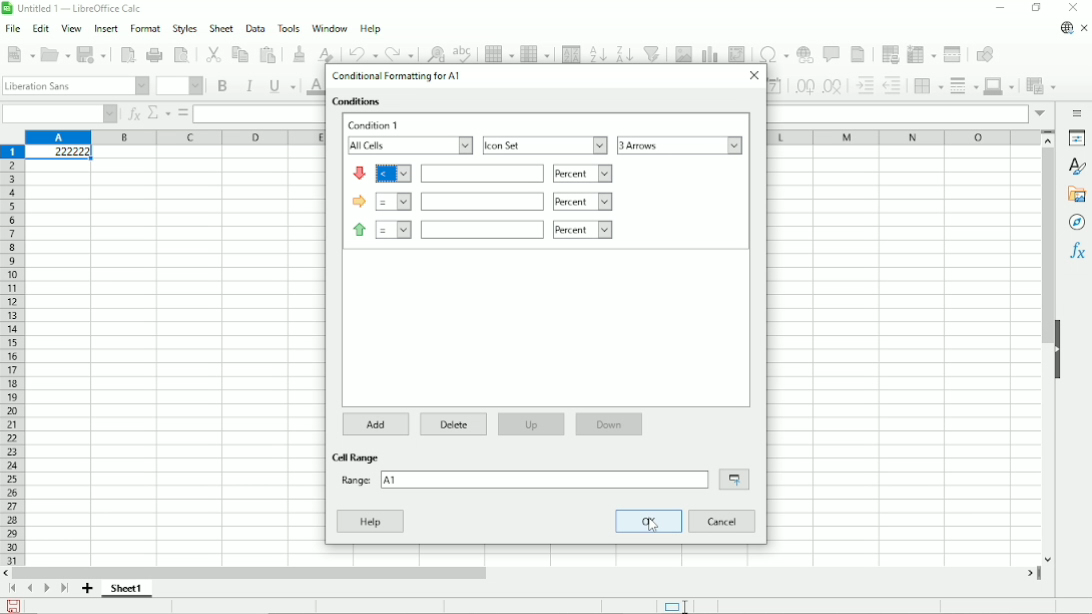 Image resolution: width=1092 pixels, height=614 pixels. What do you see at coordinates (709, 51) in the screenshot?
I see `Insert chart` at bounding box center [709, 51].